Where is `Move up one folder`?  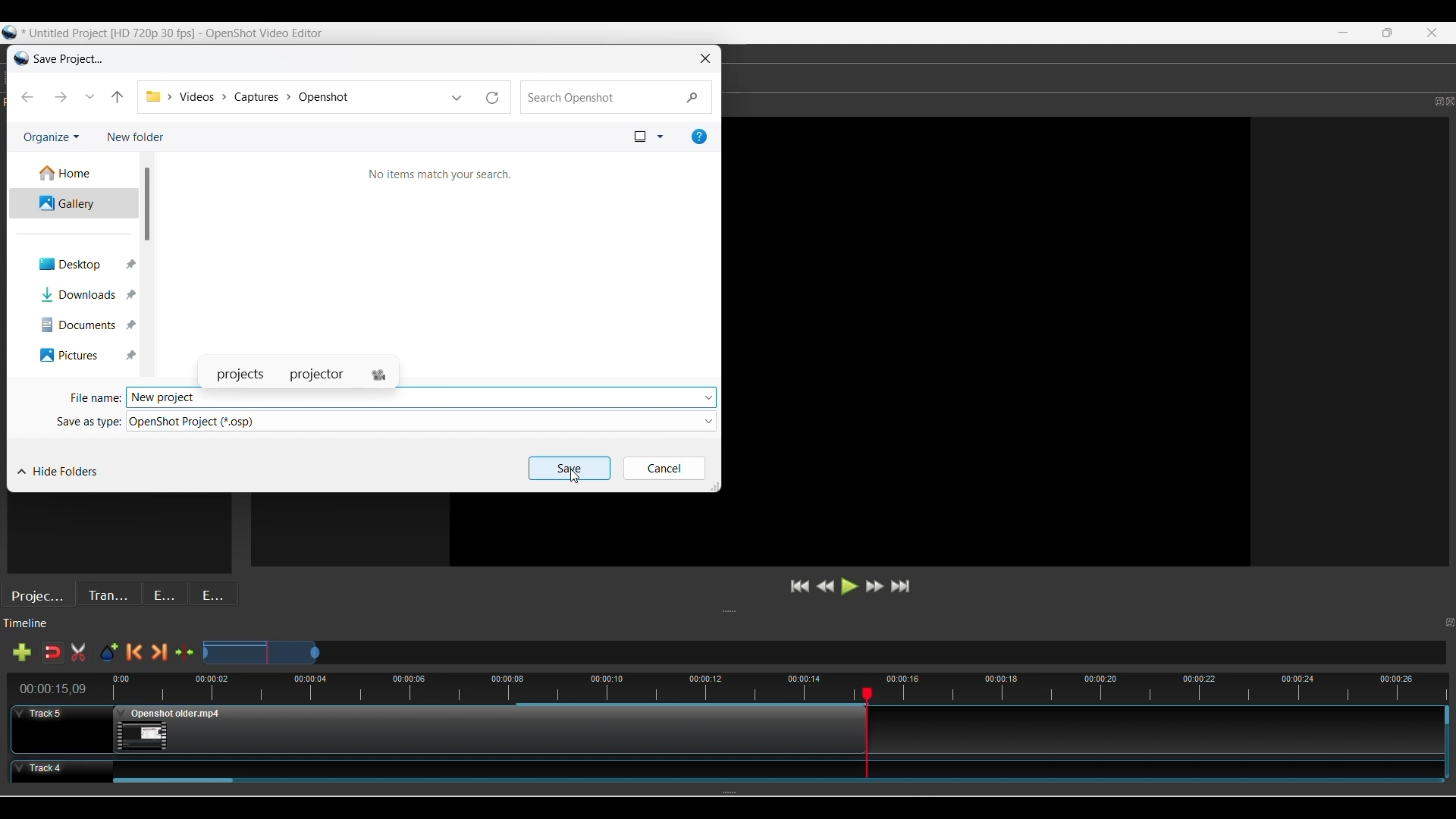 Move up one folder is located at coordinates (118, 96).